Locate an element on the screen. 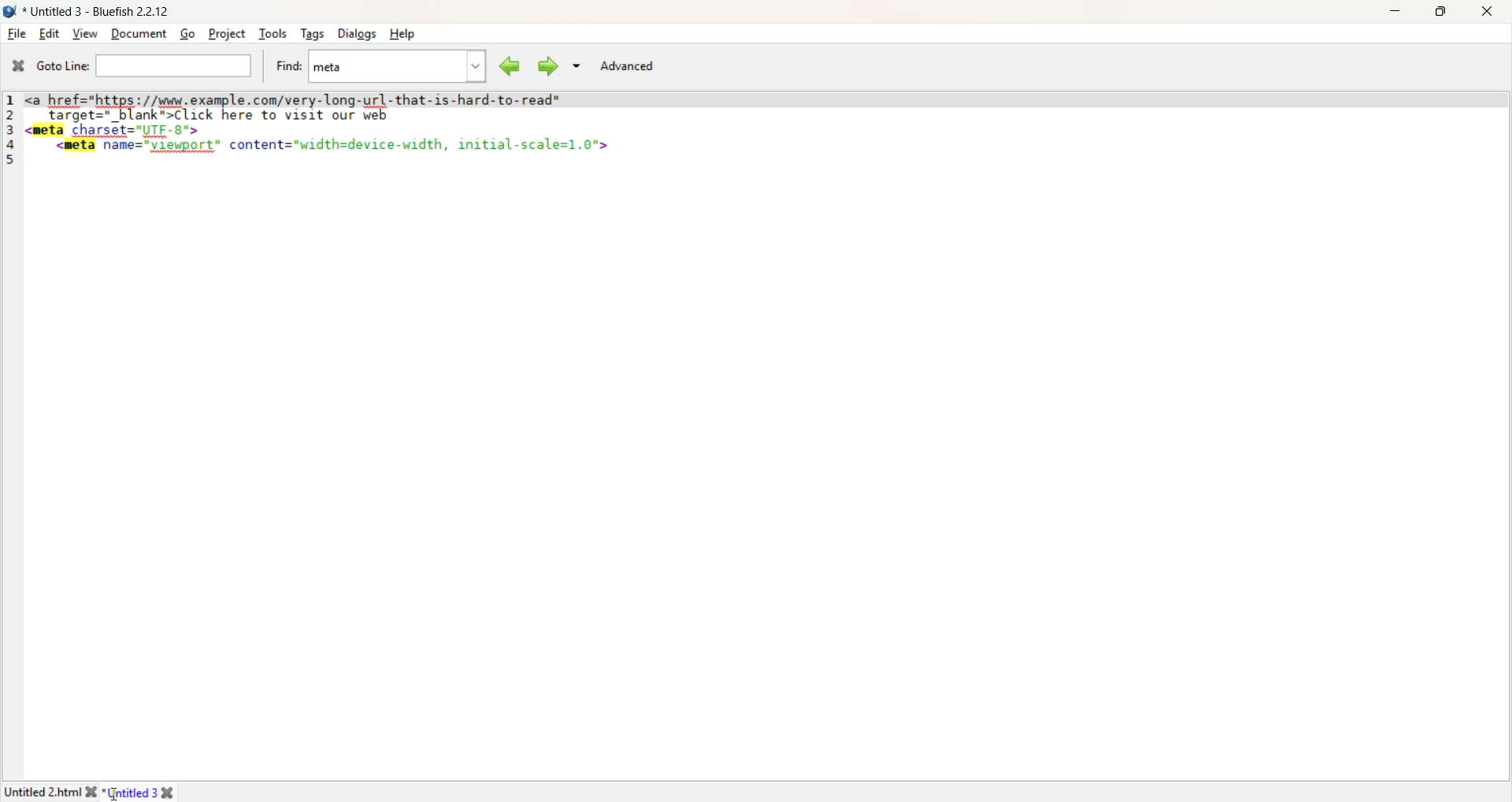 The height and width of the screenshot is (802, 1512). Help is located at coordinates (405, 34).